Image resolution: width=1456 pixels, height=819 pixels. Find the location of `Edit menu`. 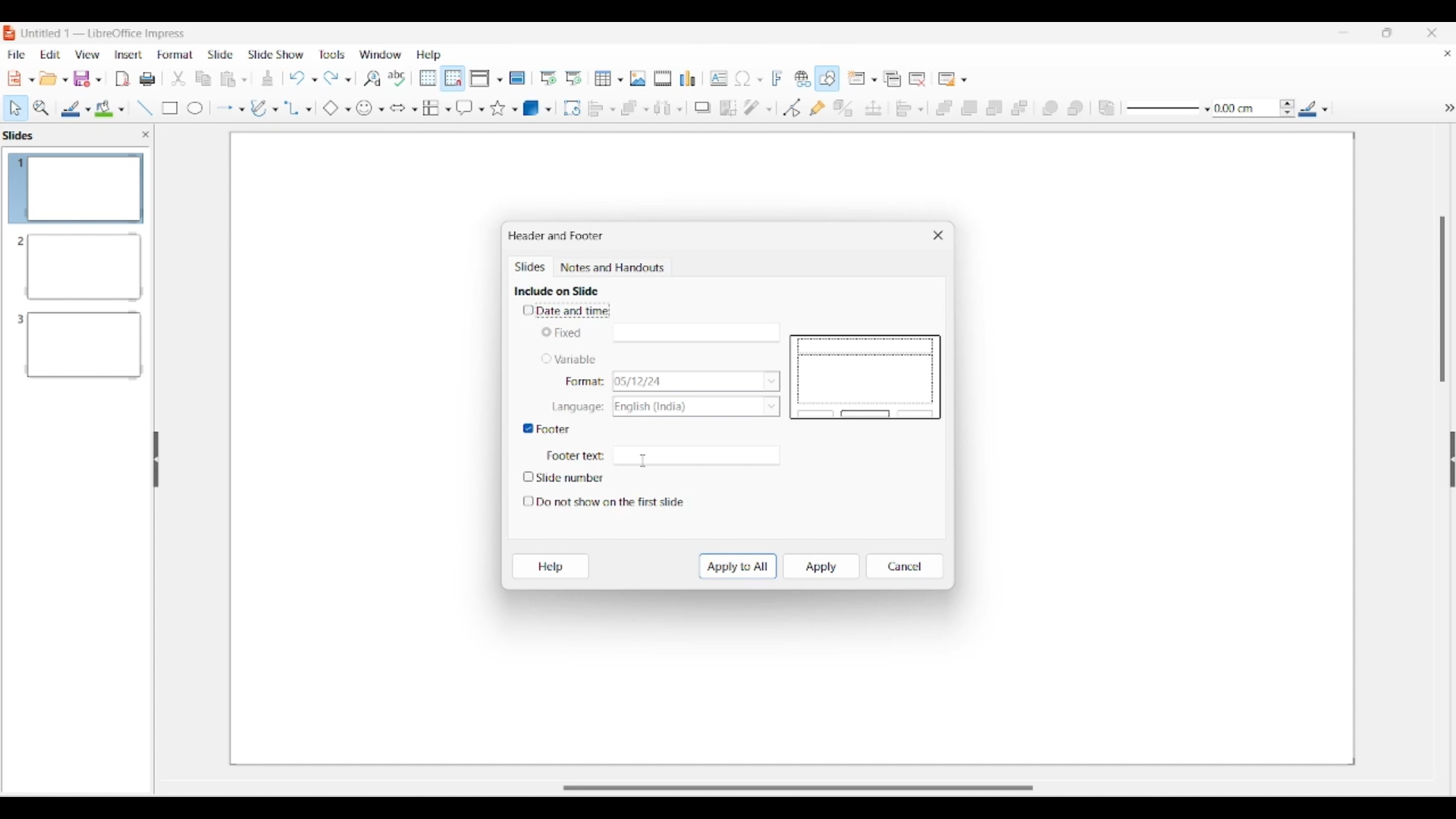

Edit menu is located at coordinates (51, 55).